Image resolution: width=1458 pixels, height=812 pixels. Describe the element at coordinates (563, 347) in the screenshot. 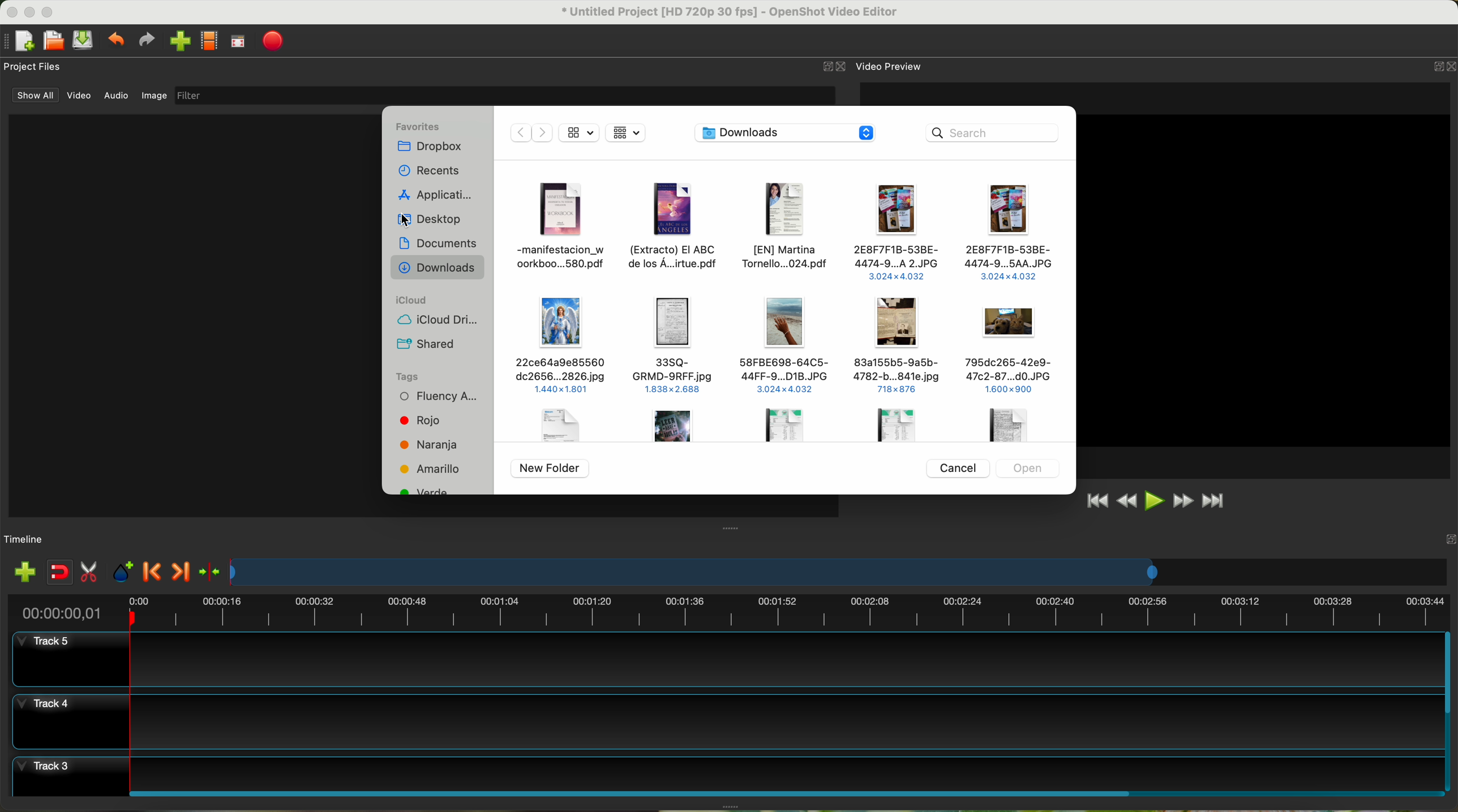

I see `file` at that location.